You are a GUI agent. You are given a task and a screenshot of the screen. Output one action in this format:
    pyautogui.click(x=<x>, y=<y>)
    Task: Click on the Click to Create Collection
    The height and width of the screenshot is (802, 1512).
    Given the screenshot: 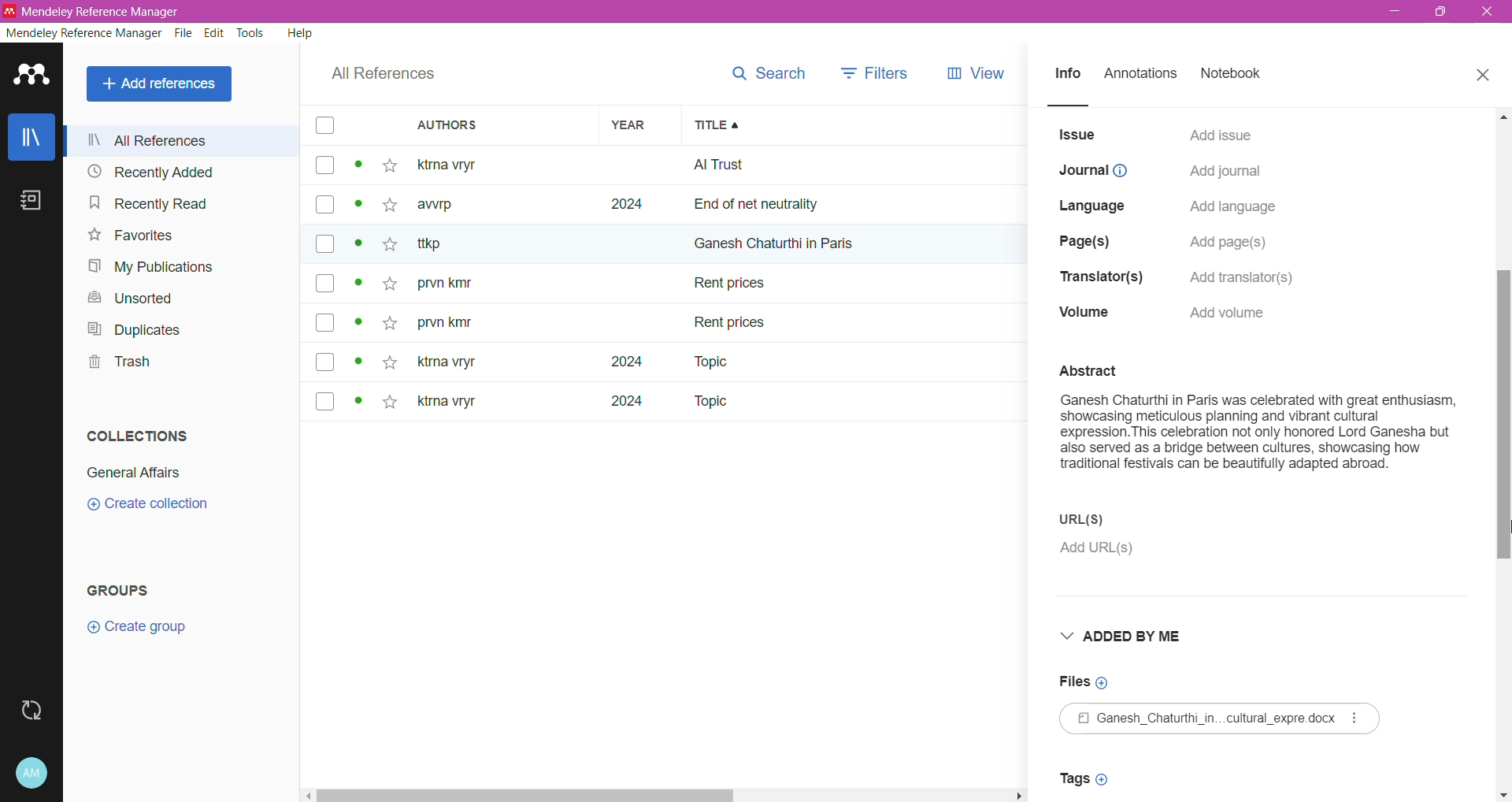 What is the action you would take?
    pyautogui.click(x=156, y=507)
    